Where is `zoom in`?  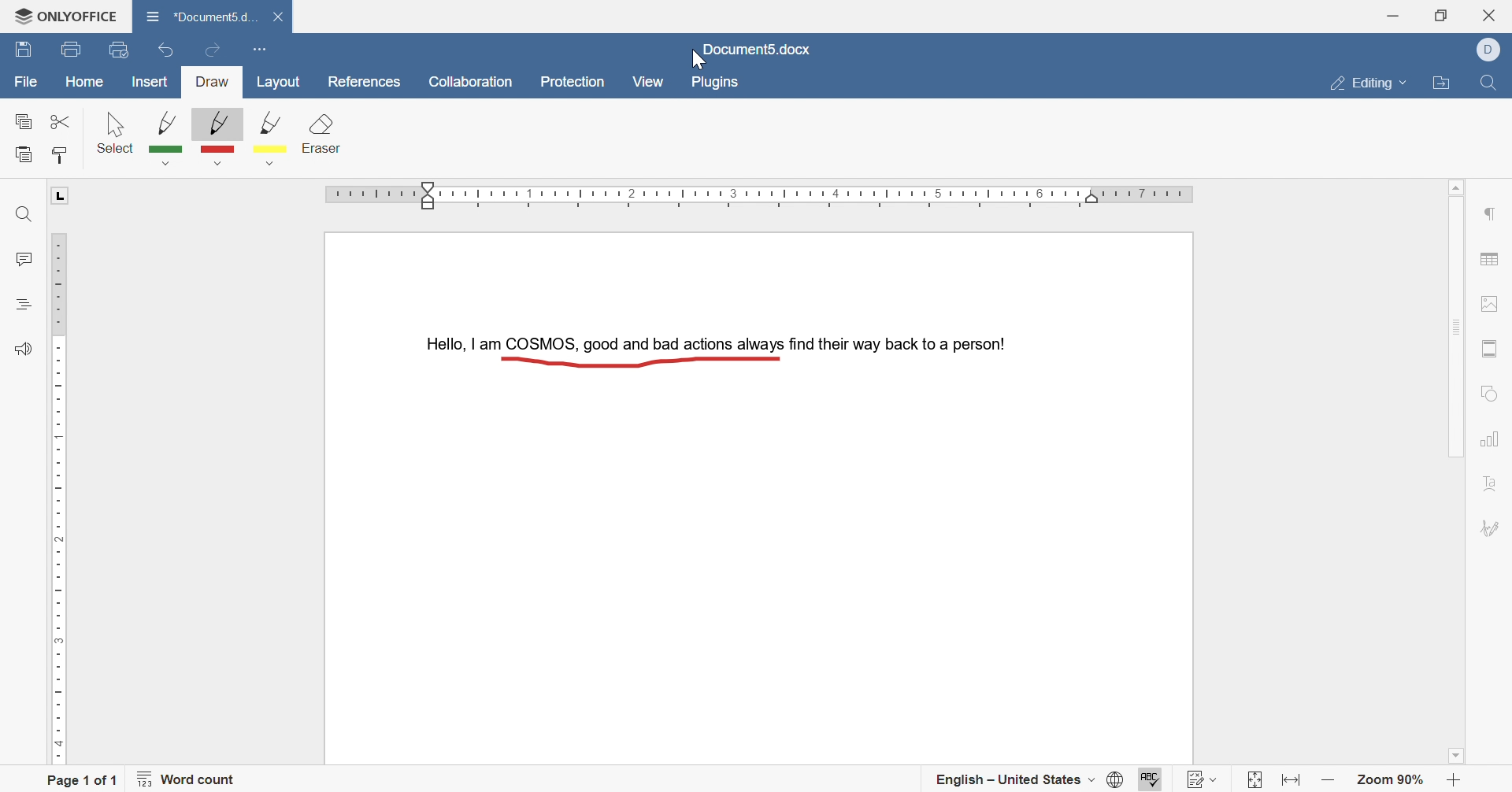
zoom in is located at coordinates (1453, 781).